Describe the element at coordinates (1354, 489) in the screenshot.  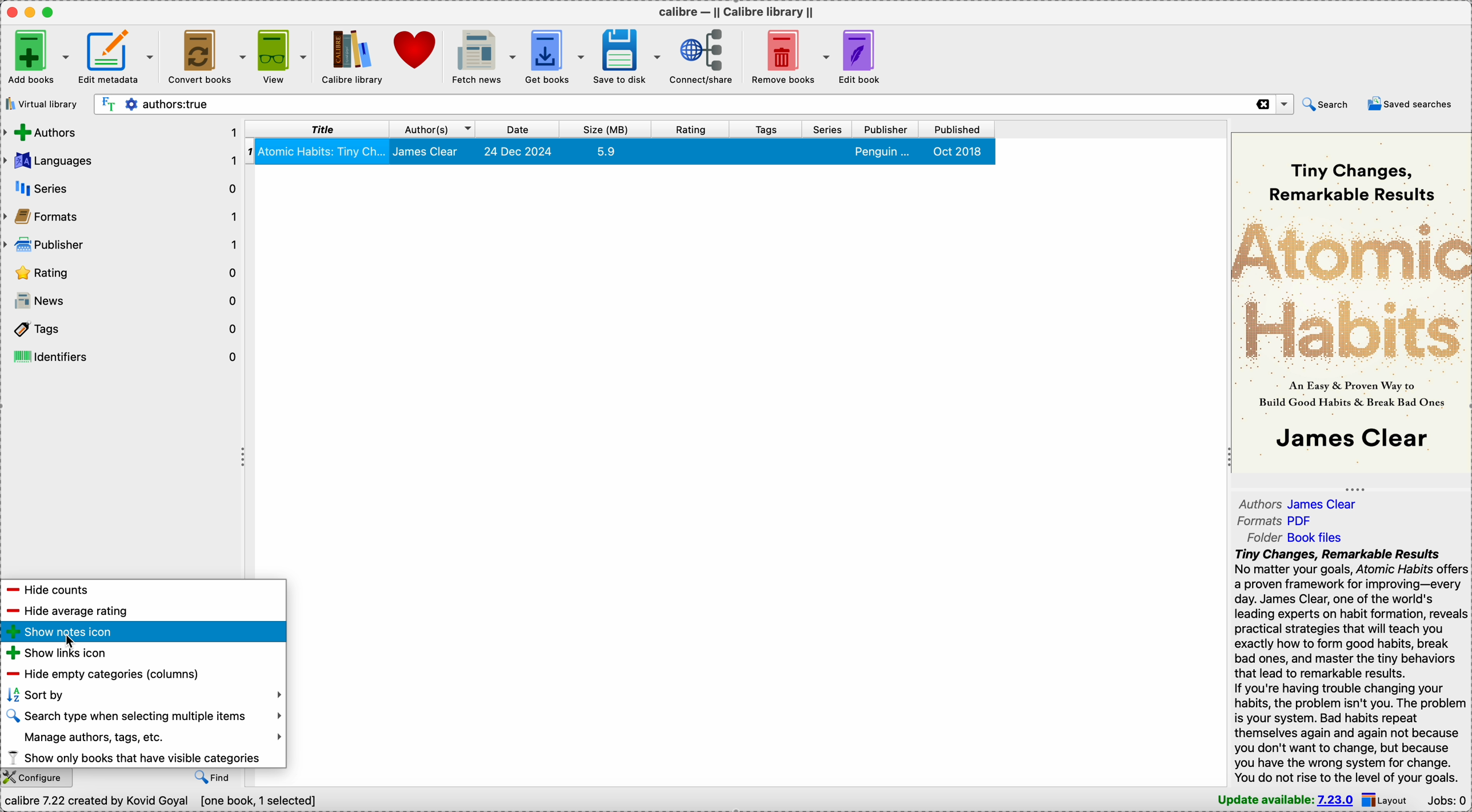
I see `toggle expand/contract` at that location.